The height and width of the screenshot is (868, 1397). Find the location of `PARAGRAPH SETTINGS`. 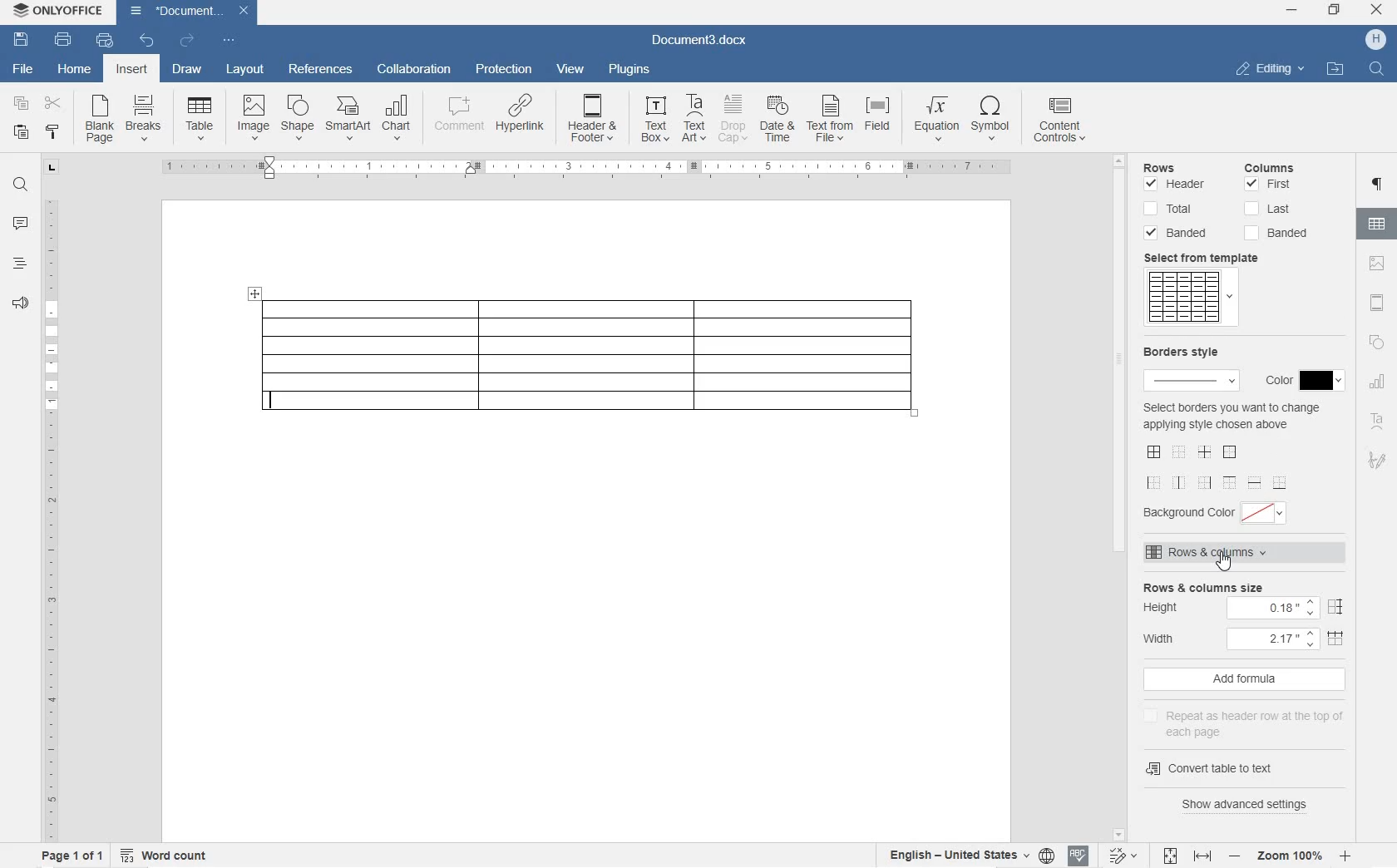

PARAGRAPH SETTINGS is located at coordinates (1378, 185).